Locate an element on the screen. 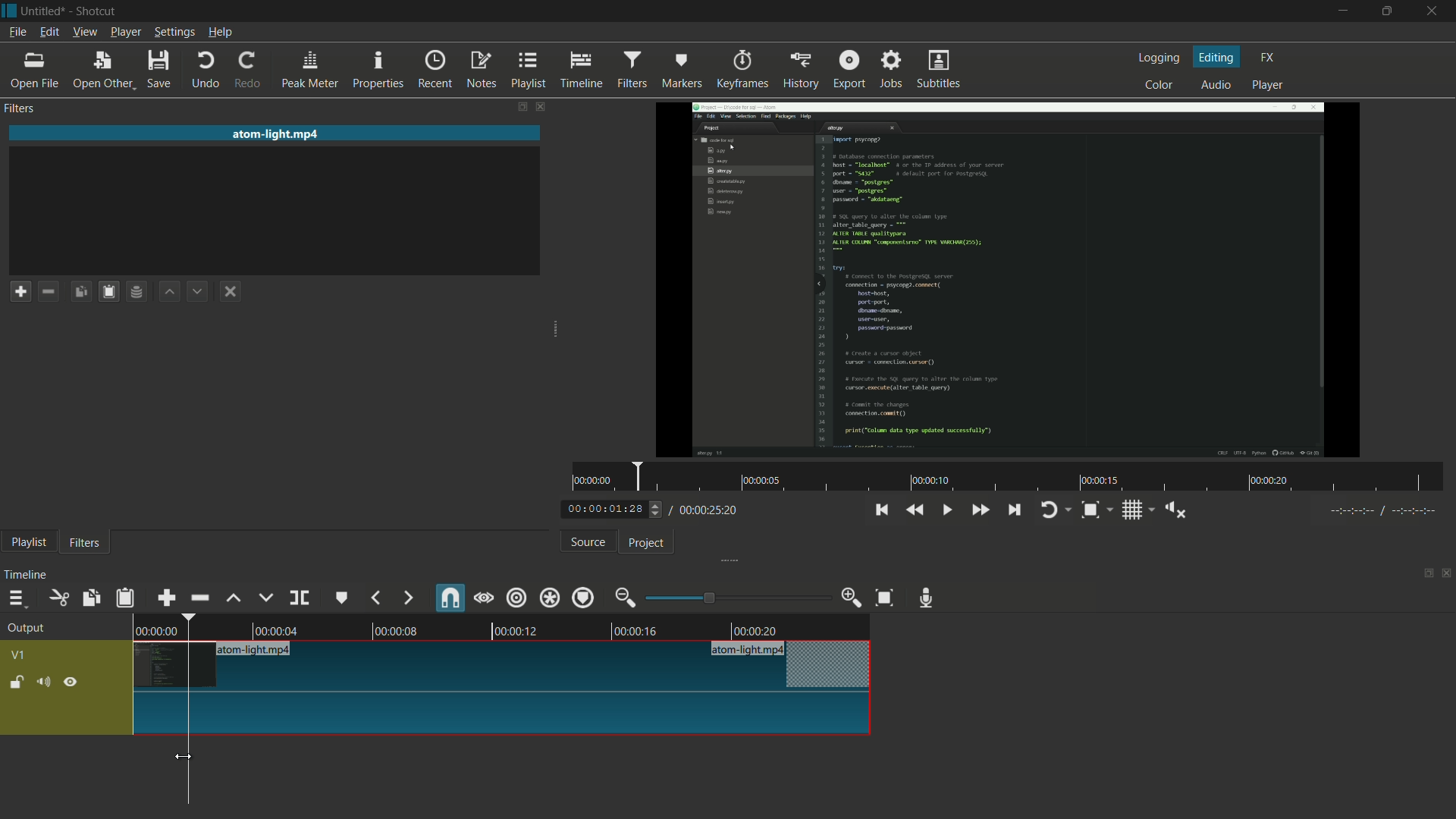 The height and width of the screenshot is (819, 1456). add a filter is located at coordinates (20, 291).